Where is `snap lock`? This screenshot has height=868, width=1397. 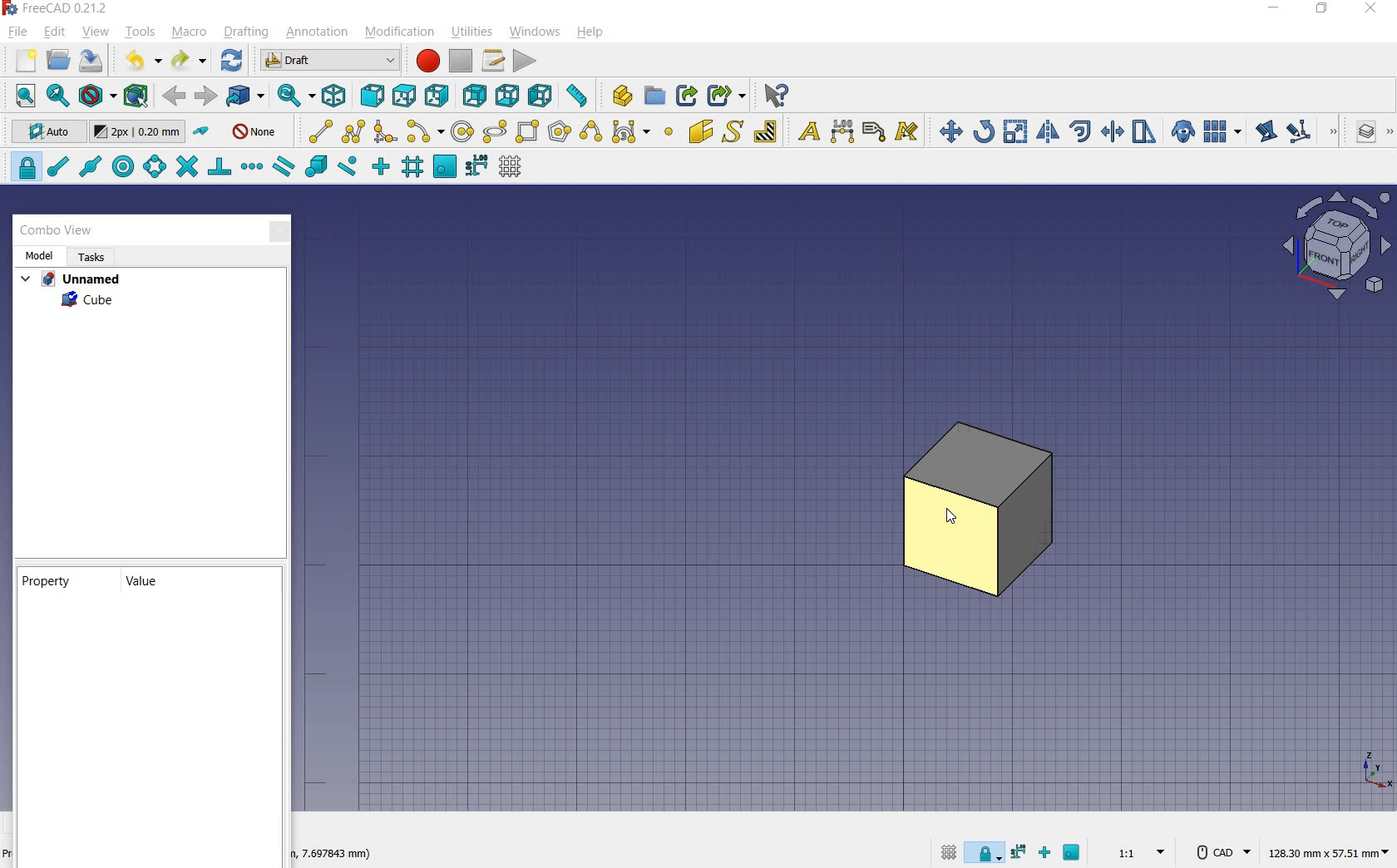
snap lock is located at coordinates (983, 855).